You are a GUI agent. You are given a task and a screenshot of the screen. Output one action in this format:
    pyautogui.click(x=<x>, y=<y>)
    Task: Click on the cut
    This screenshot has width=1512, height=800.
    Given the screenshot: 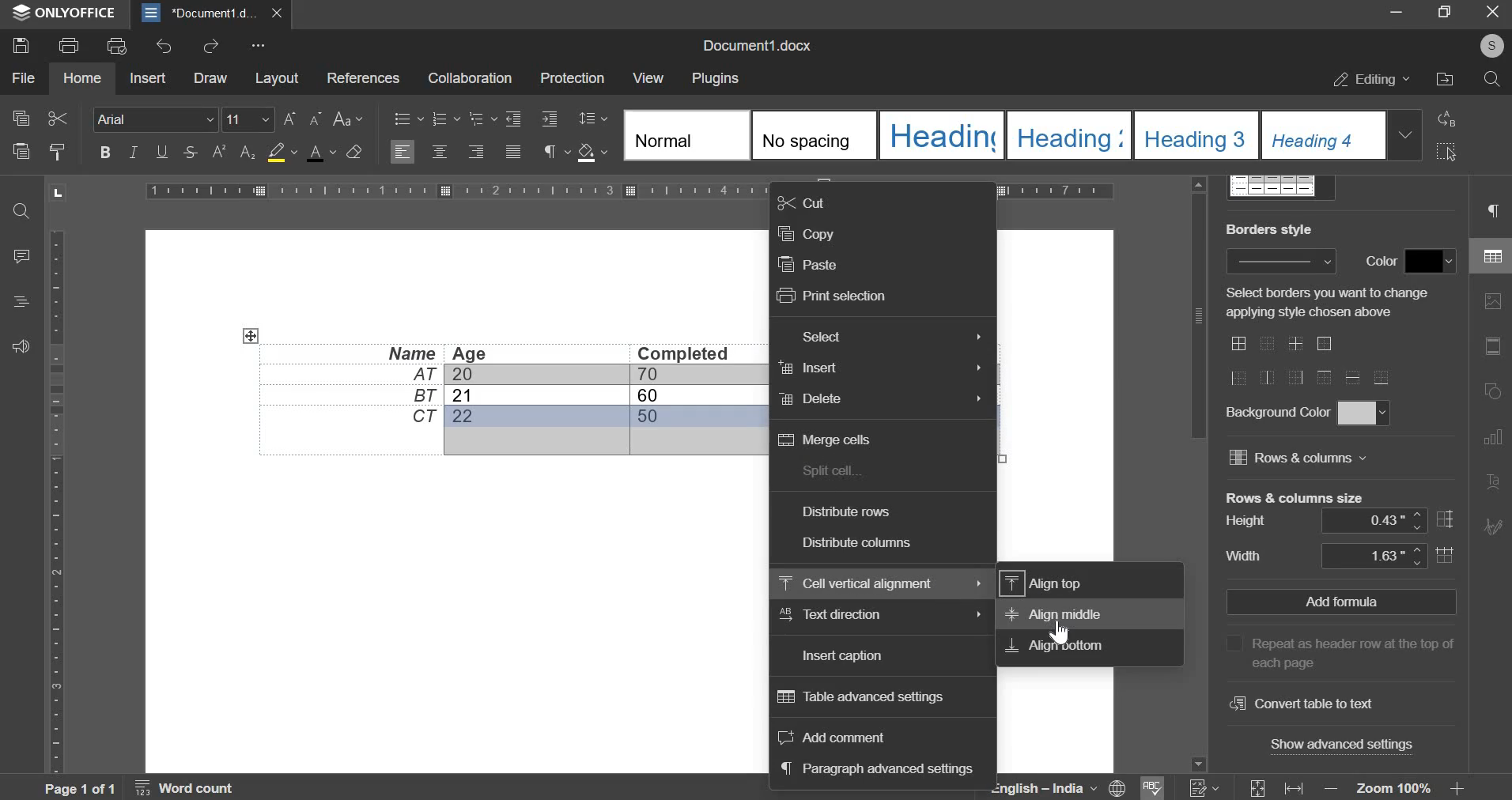 What is the action you would take?
    pyautogui.click(x=804, y=201)
    